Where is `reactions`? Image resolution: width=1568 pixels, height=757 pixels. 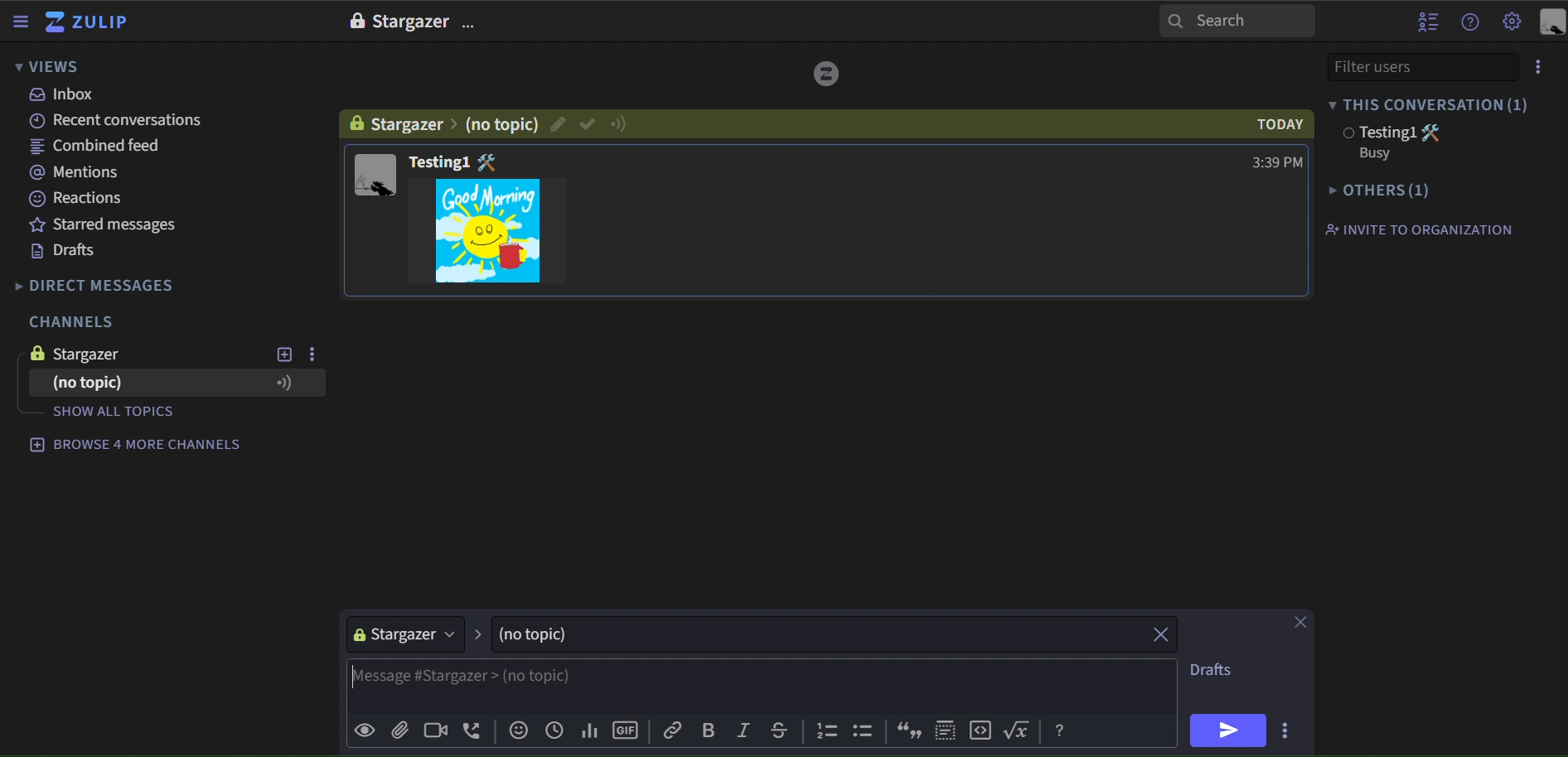
reactions is located at coordinates (88, 199).